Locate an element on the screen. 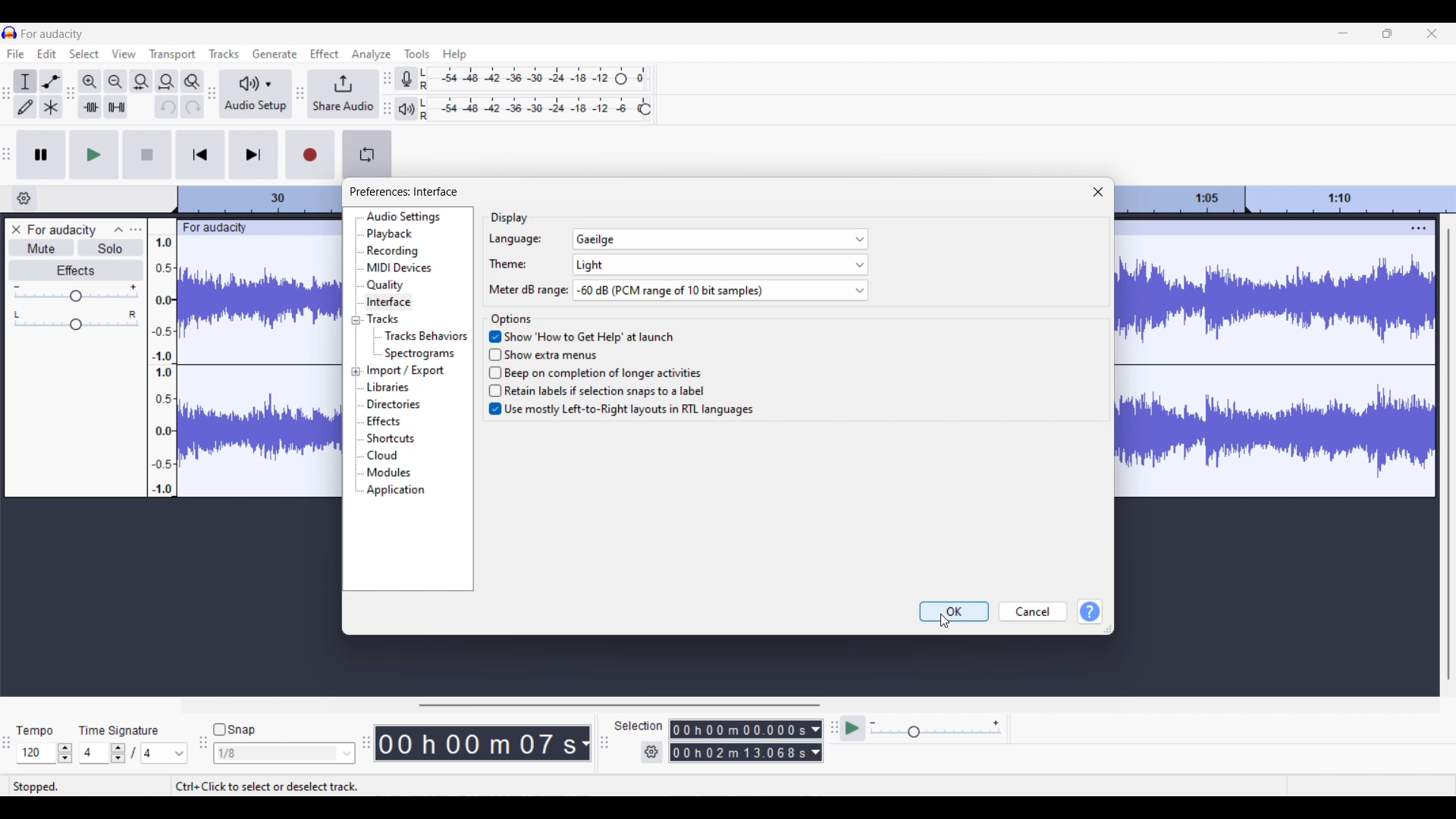 The width and height of the screenshot is (1456, 819). Playback meter is located at coordinates (405, 108).